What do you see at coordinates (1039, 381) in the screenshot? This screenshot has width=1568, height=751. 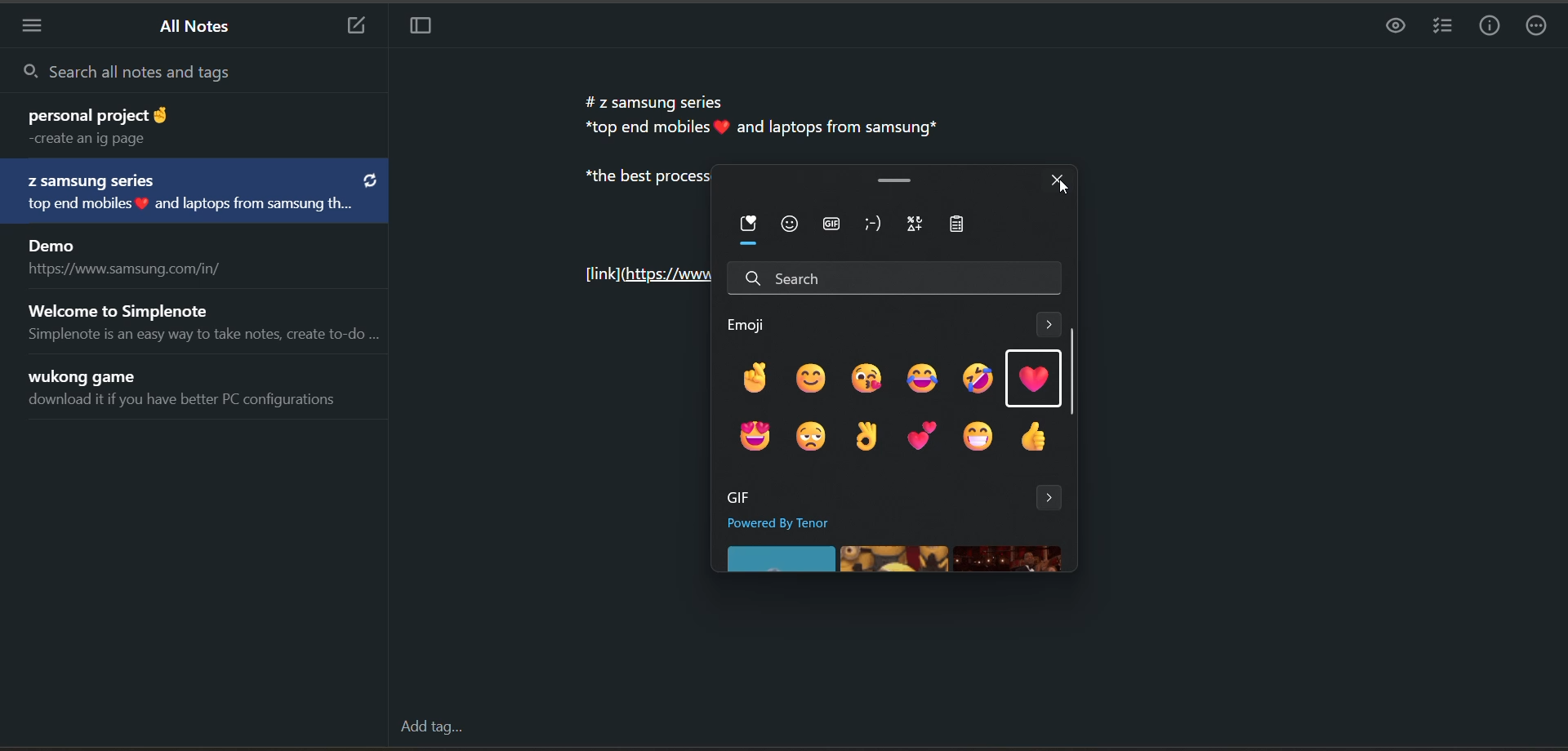 I see `emoji 6` at bounding box center [1039, 381].